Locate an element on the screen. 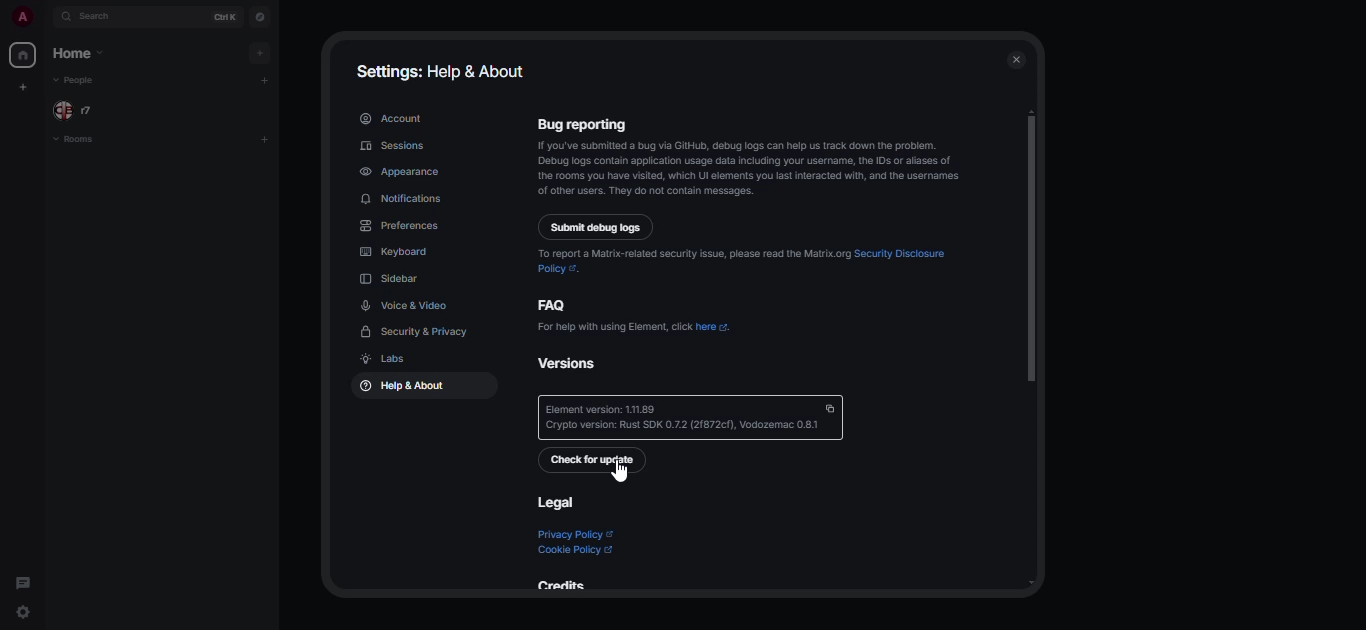  security & privacy is located at coordinates (416, 332).